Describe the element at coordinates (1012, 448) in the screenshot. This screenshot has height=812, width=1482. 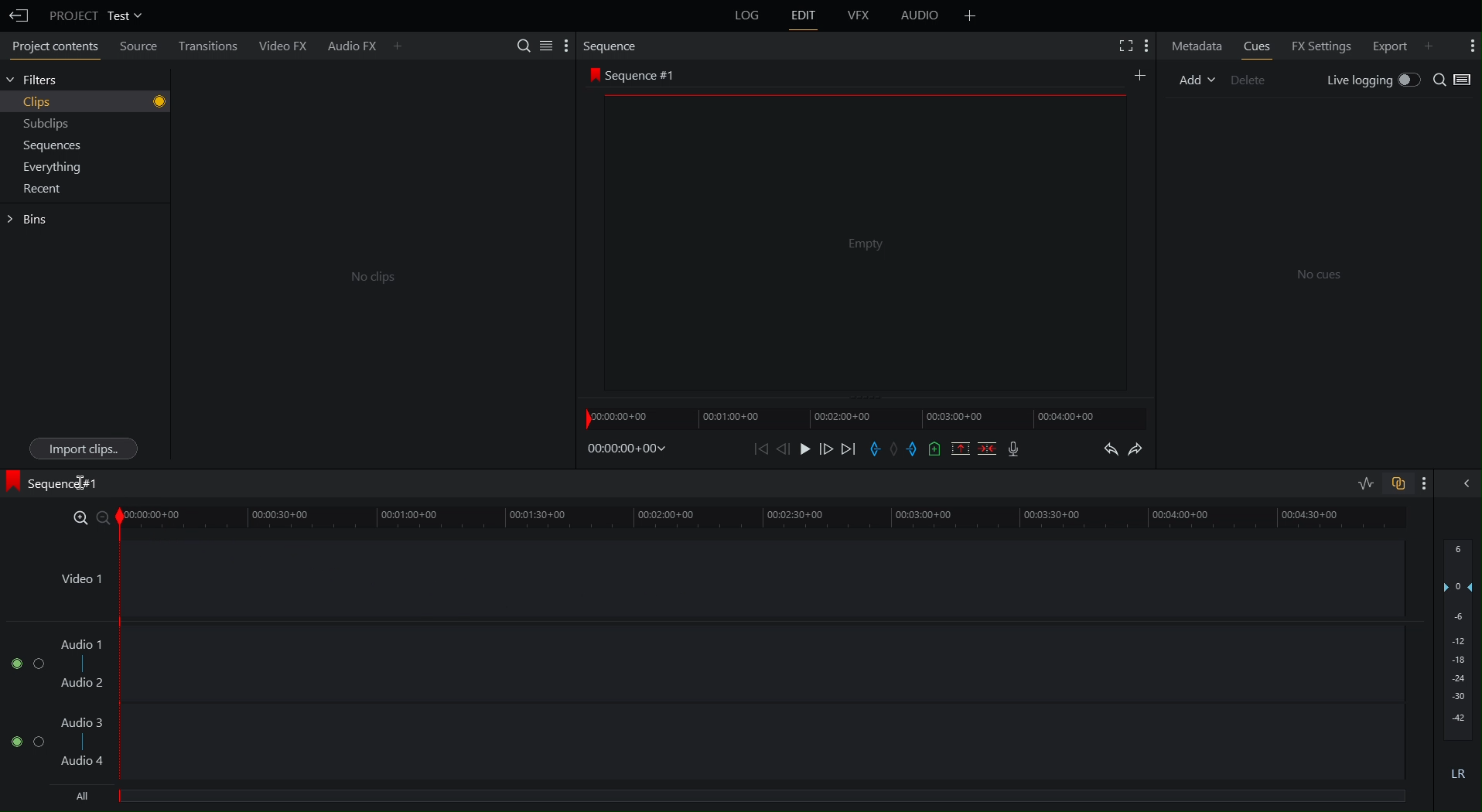
I see `Mic` at that location.